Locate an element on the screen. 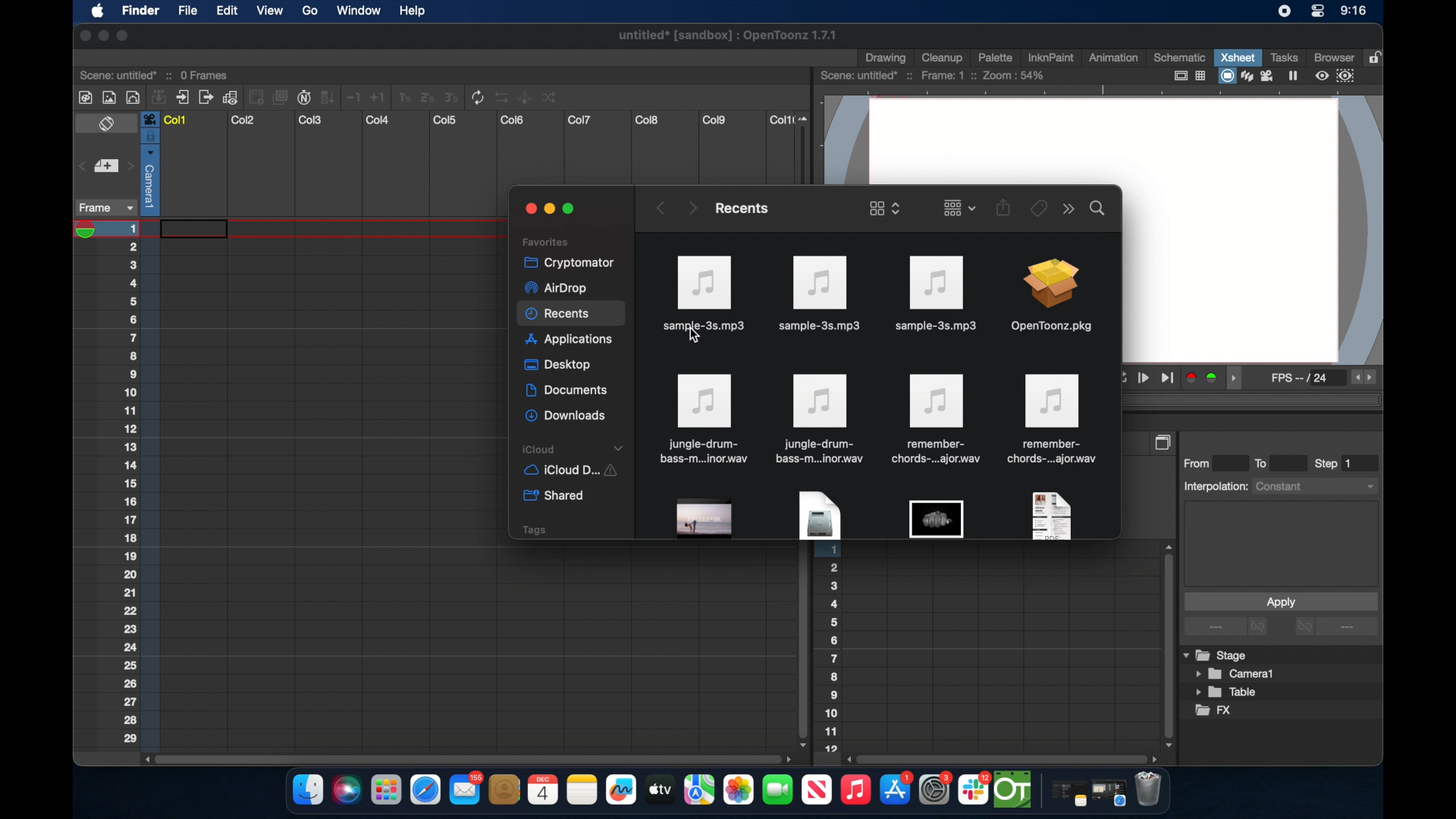 The width and height of the screenshot is (1456, 819). slider is located at coordinates (807, 147).